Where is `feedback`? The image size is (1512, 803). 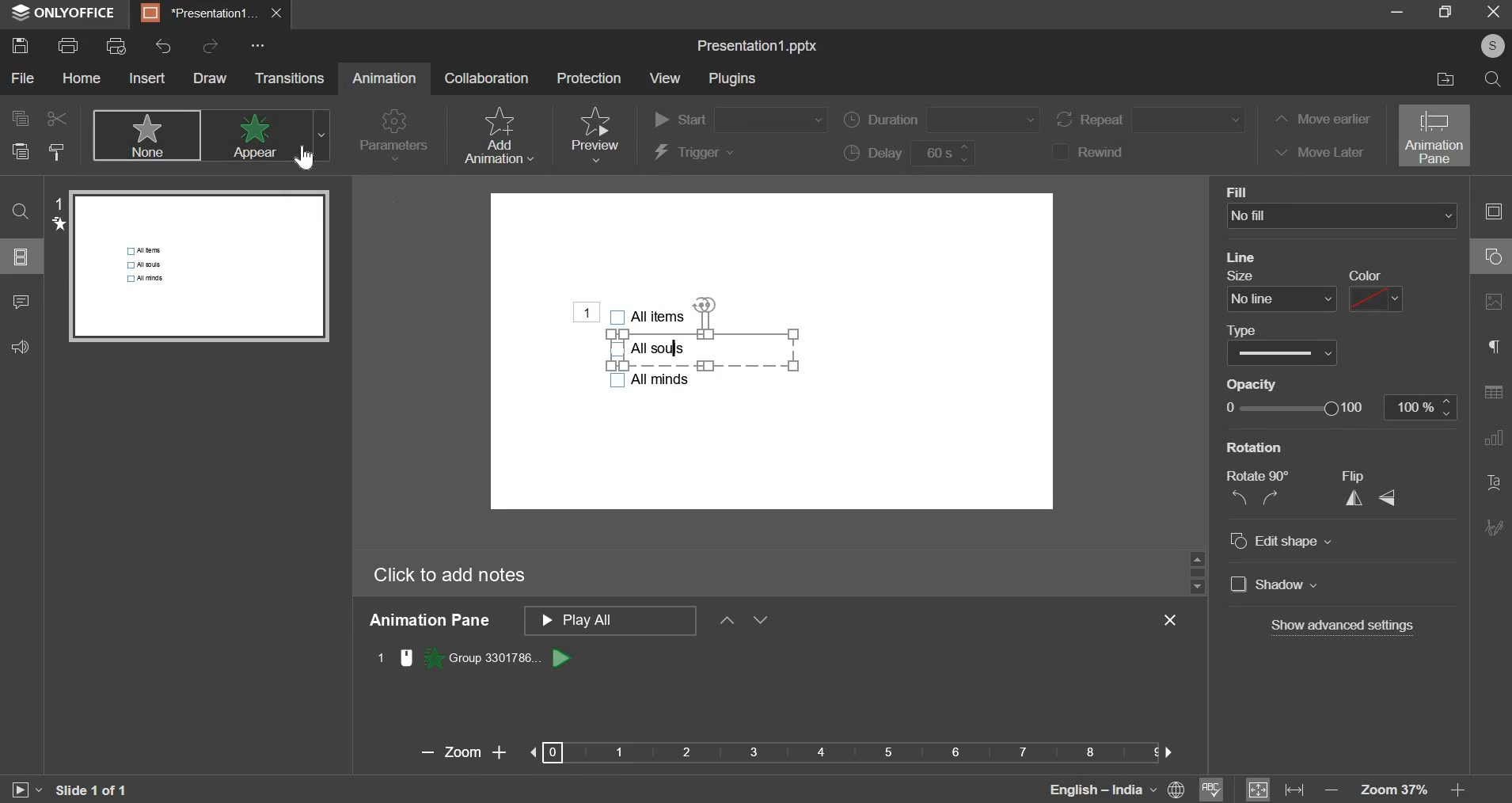
feedback is located at coordinates (28, 346).